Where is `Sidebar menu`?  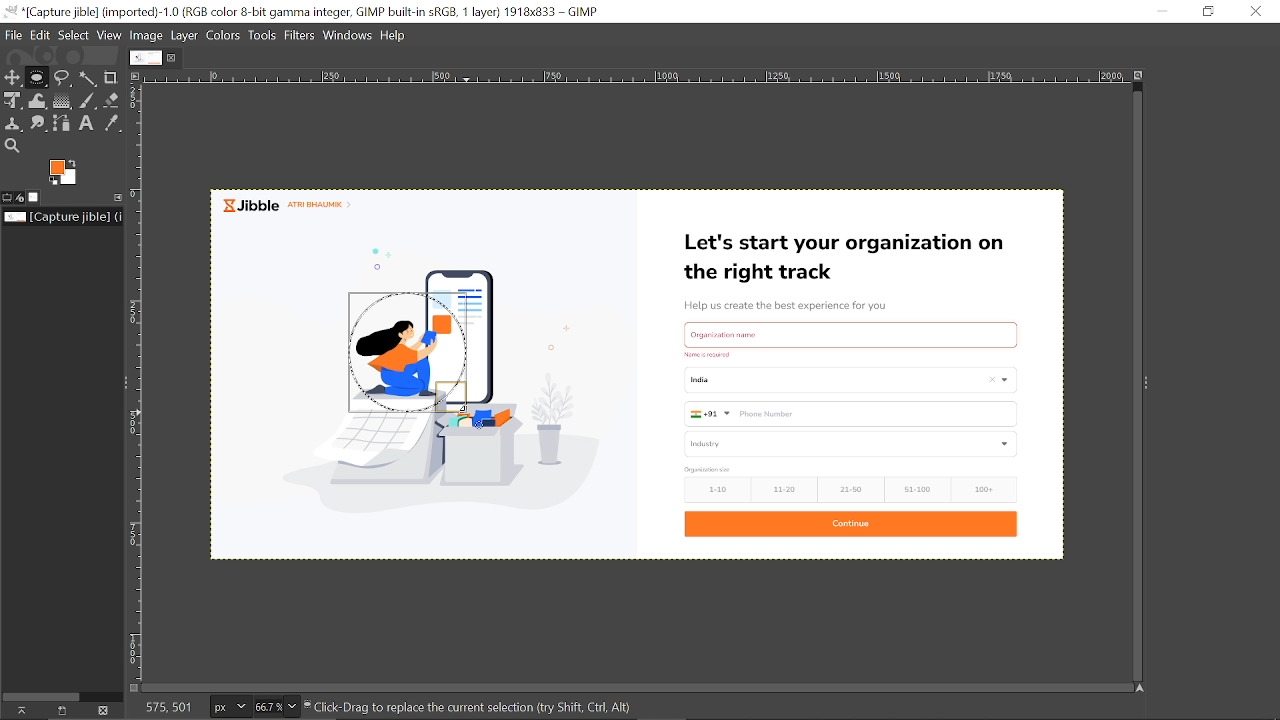
Sidebar menu is located at coordinates (1156, 386).